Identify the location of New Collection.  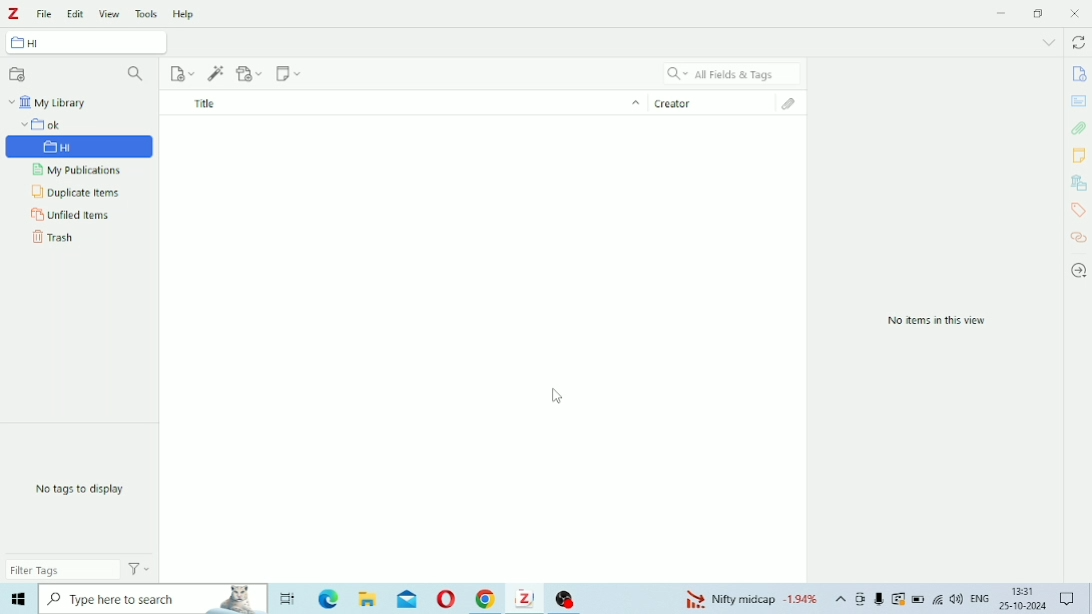
(18, 74).